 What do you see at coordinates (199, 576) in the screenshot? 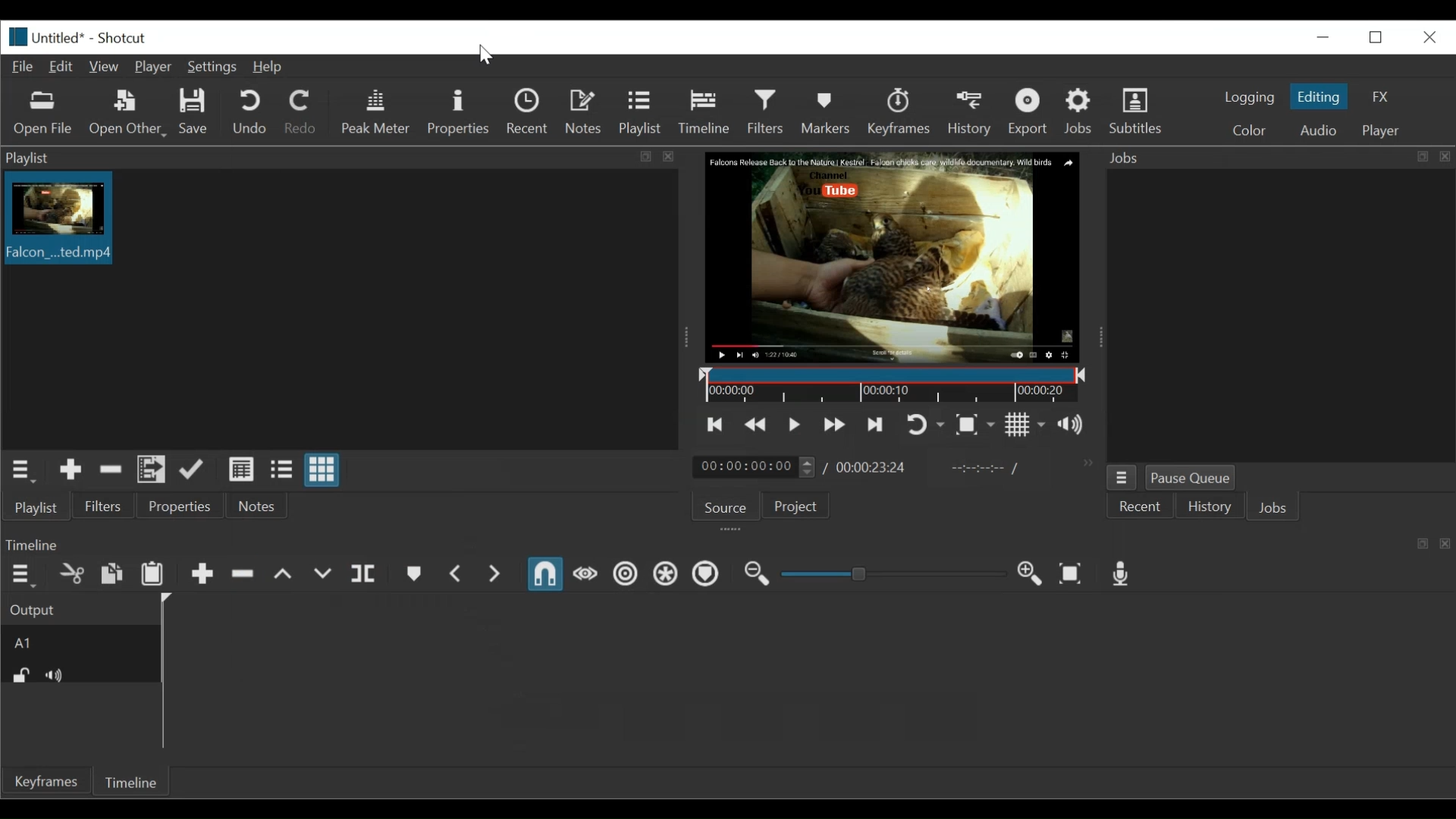
I see `Append` at bounding box center [199, 576].